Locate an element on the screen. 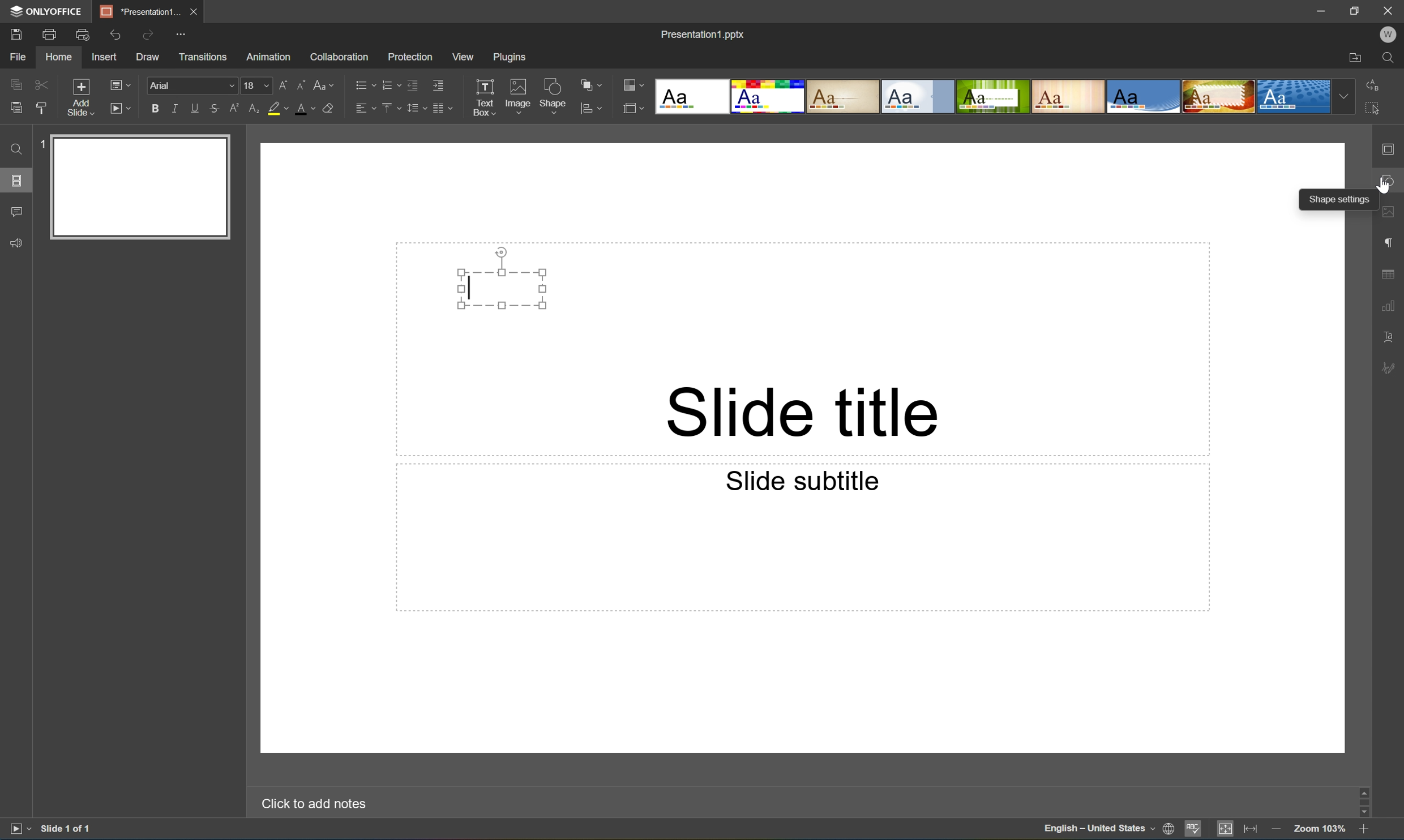  Transitions is located at coordinates (202, 56).